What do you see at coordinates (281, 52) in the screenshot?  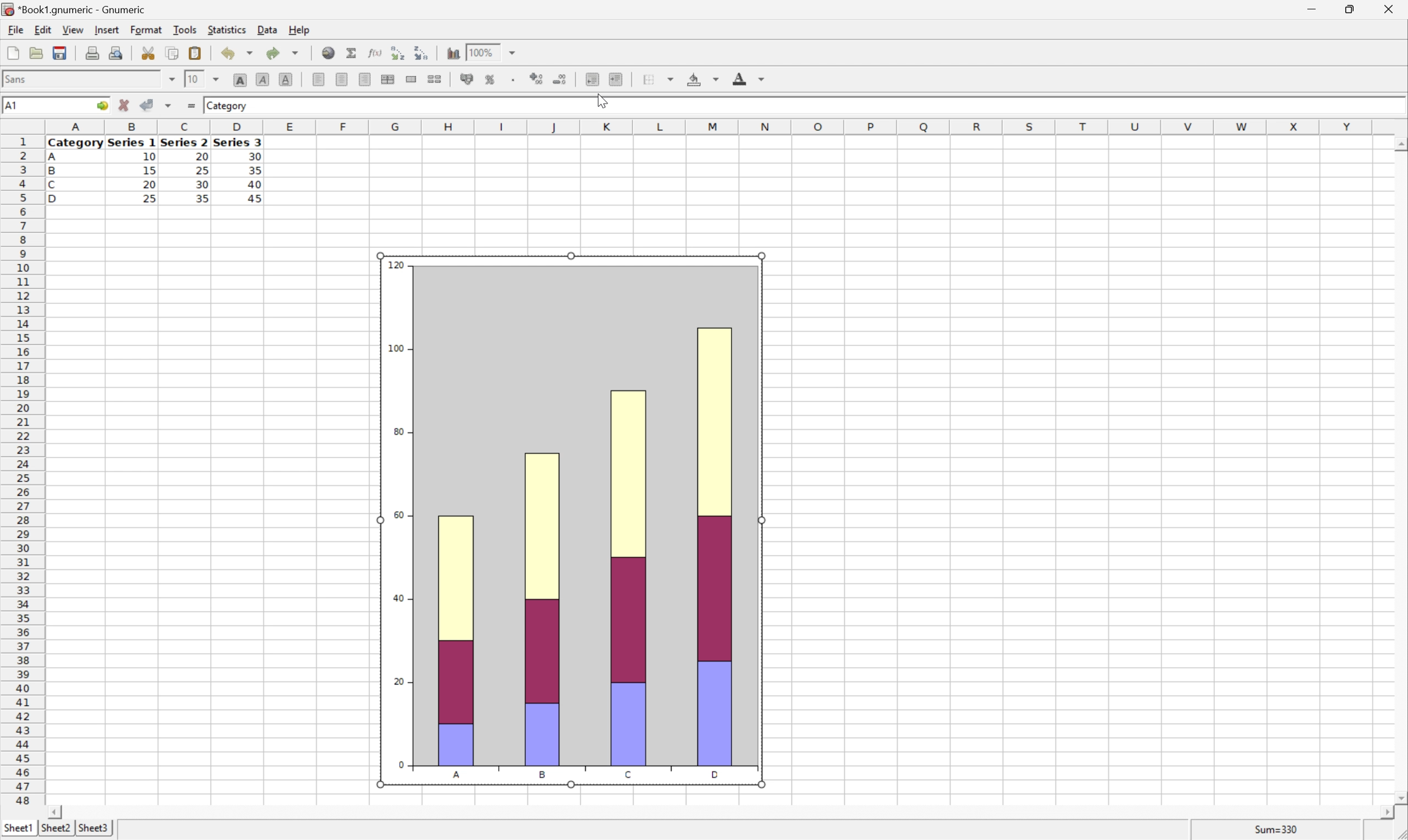 I see `Redo` at bounding box center [281, 52].